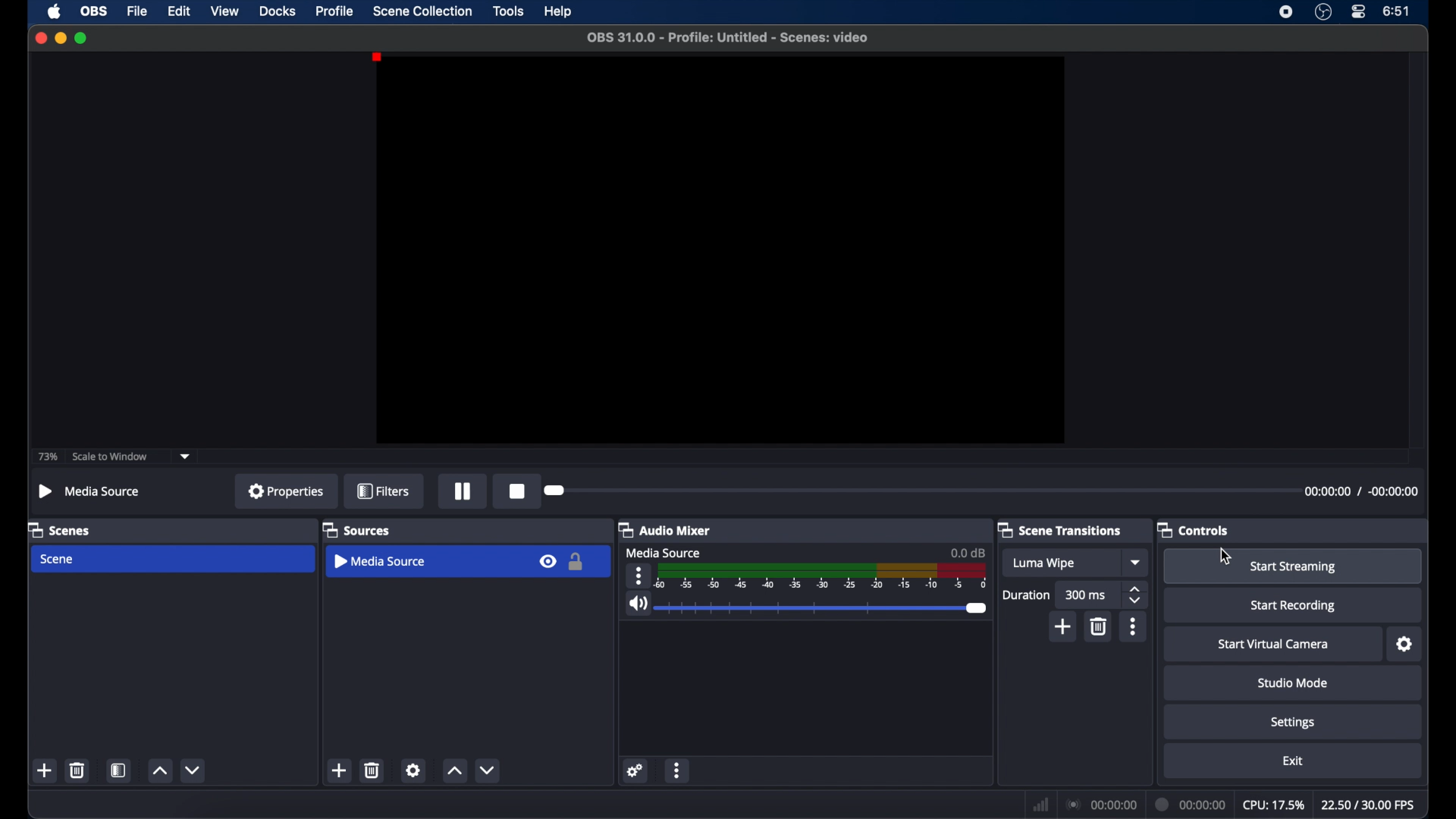 This screenshot has height=819, width=1456. What do you see at coordinates (720, 250) in the screenshot?
I see `preview` at bounding box center [720, 250].